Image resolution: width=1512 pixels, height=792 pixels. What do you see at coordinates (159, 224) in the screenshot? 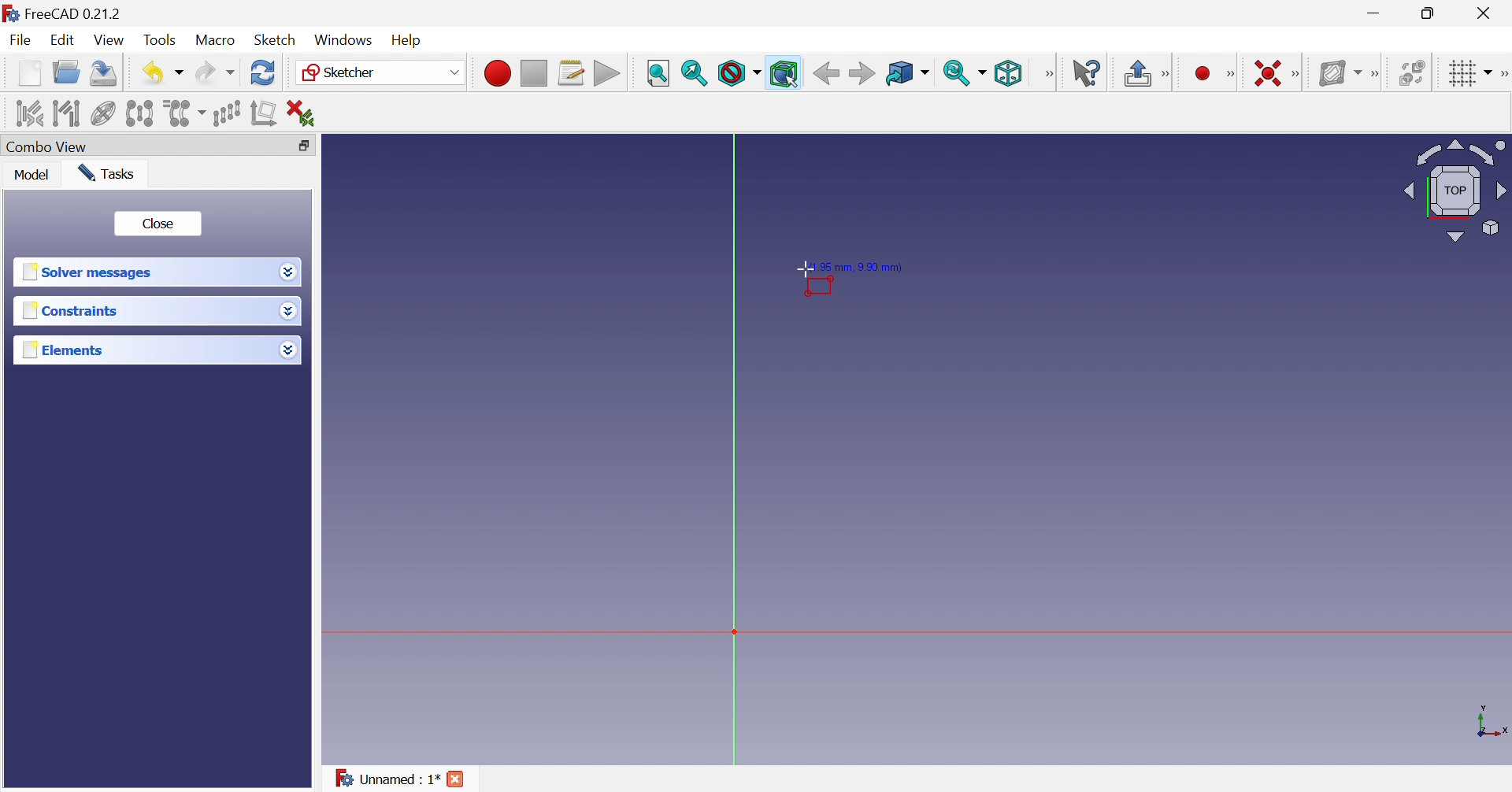
I see `Close` at bounding box center [159, 224].